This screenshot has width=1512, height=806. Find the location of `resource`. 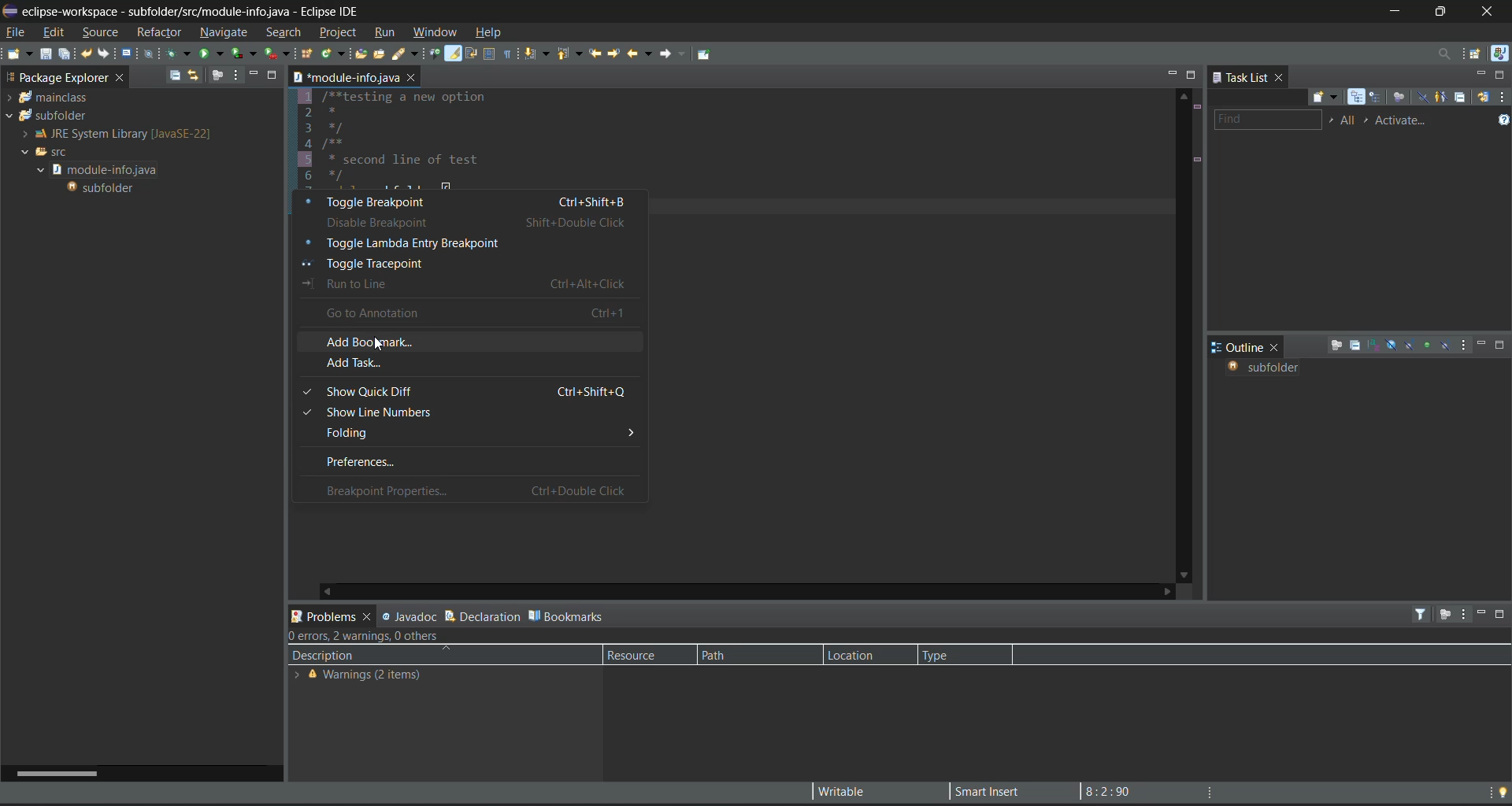

resource is located at coordinates (639, 655).